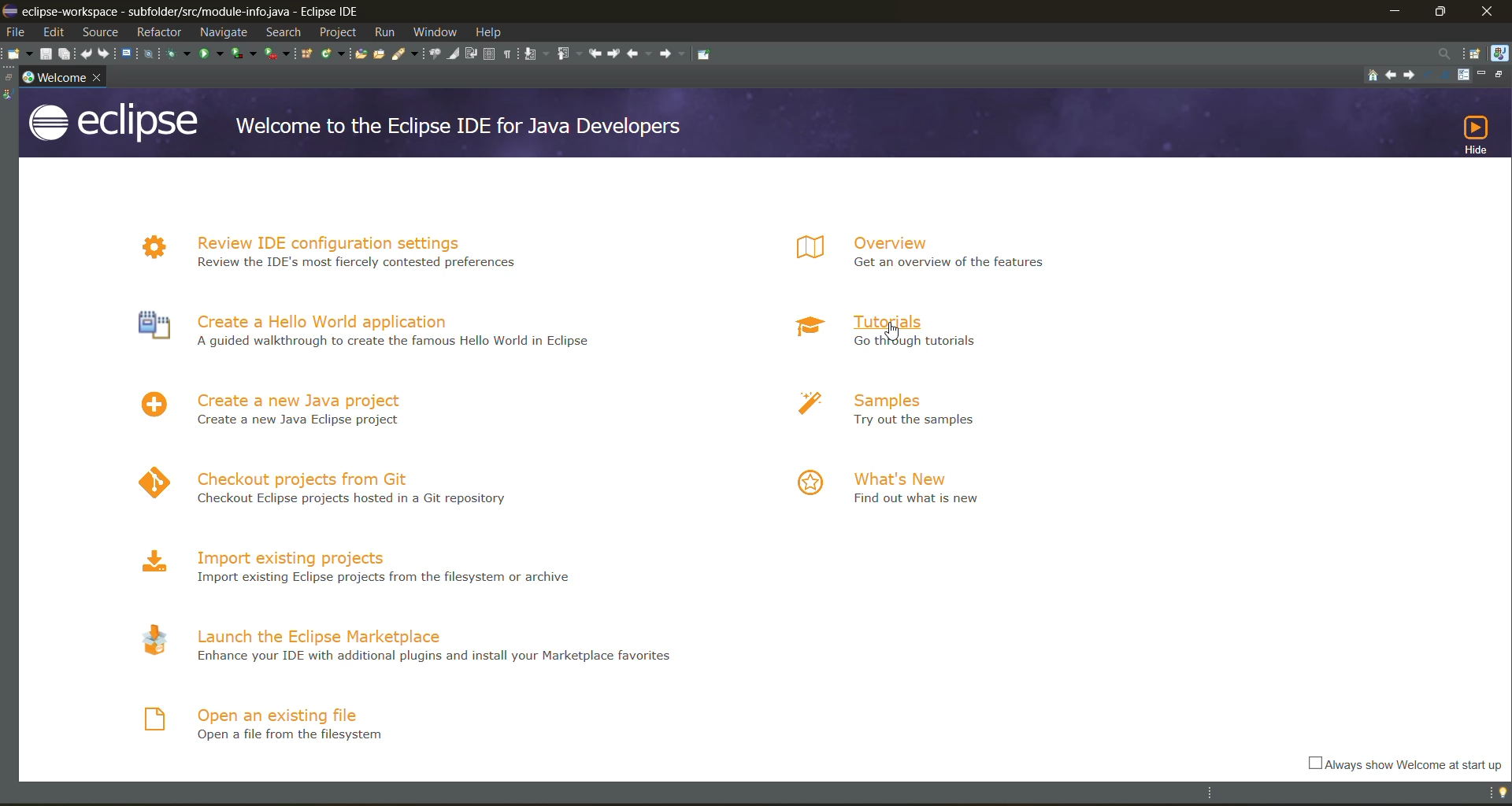  What do you see at coordinates (95, 75) in the screenshot?
I see `close` at bounding box center [95, 75].